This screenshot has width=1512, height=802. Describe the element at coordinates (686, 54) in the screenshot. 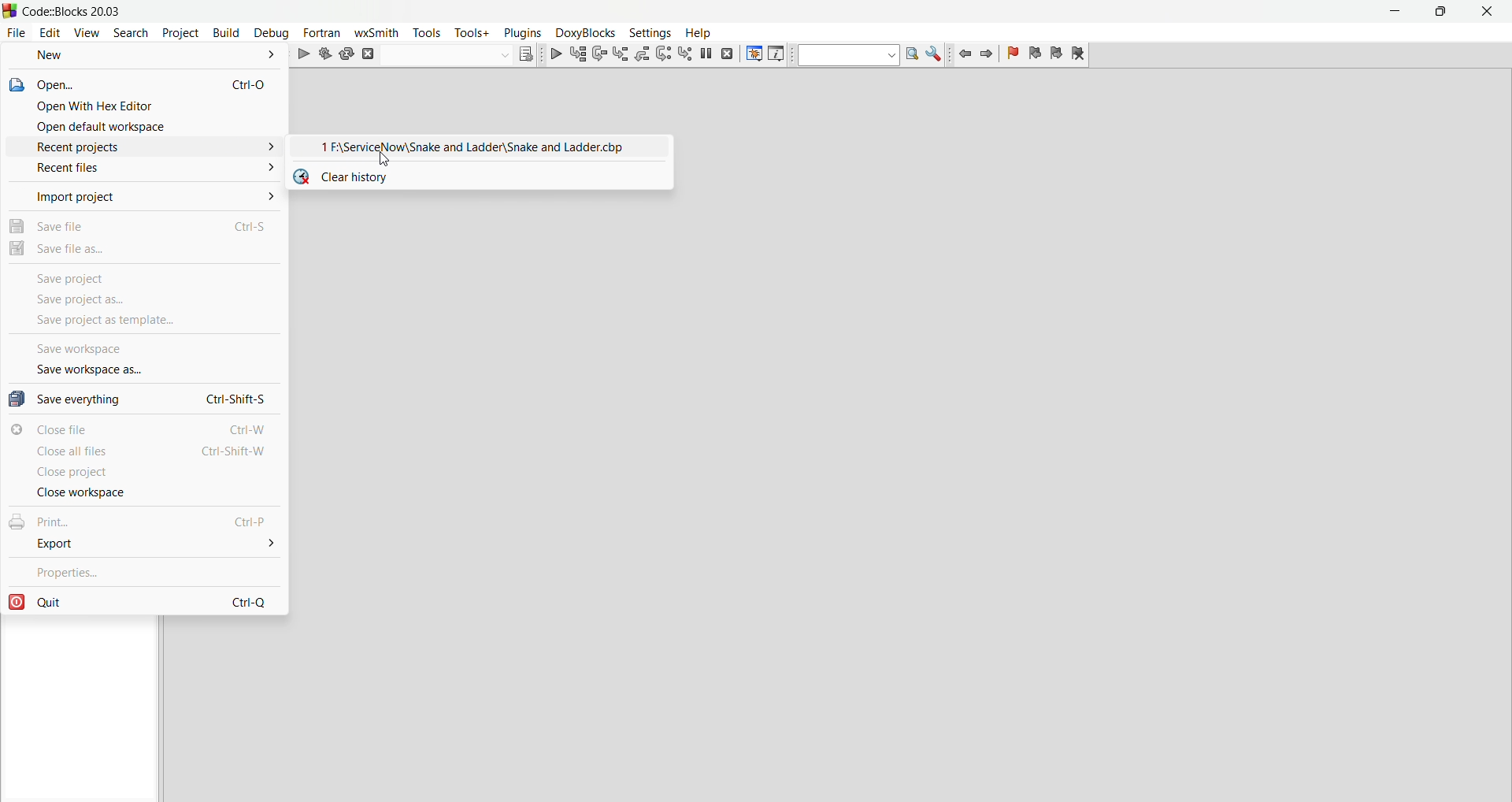

I see `step into instructions` at that location.